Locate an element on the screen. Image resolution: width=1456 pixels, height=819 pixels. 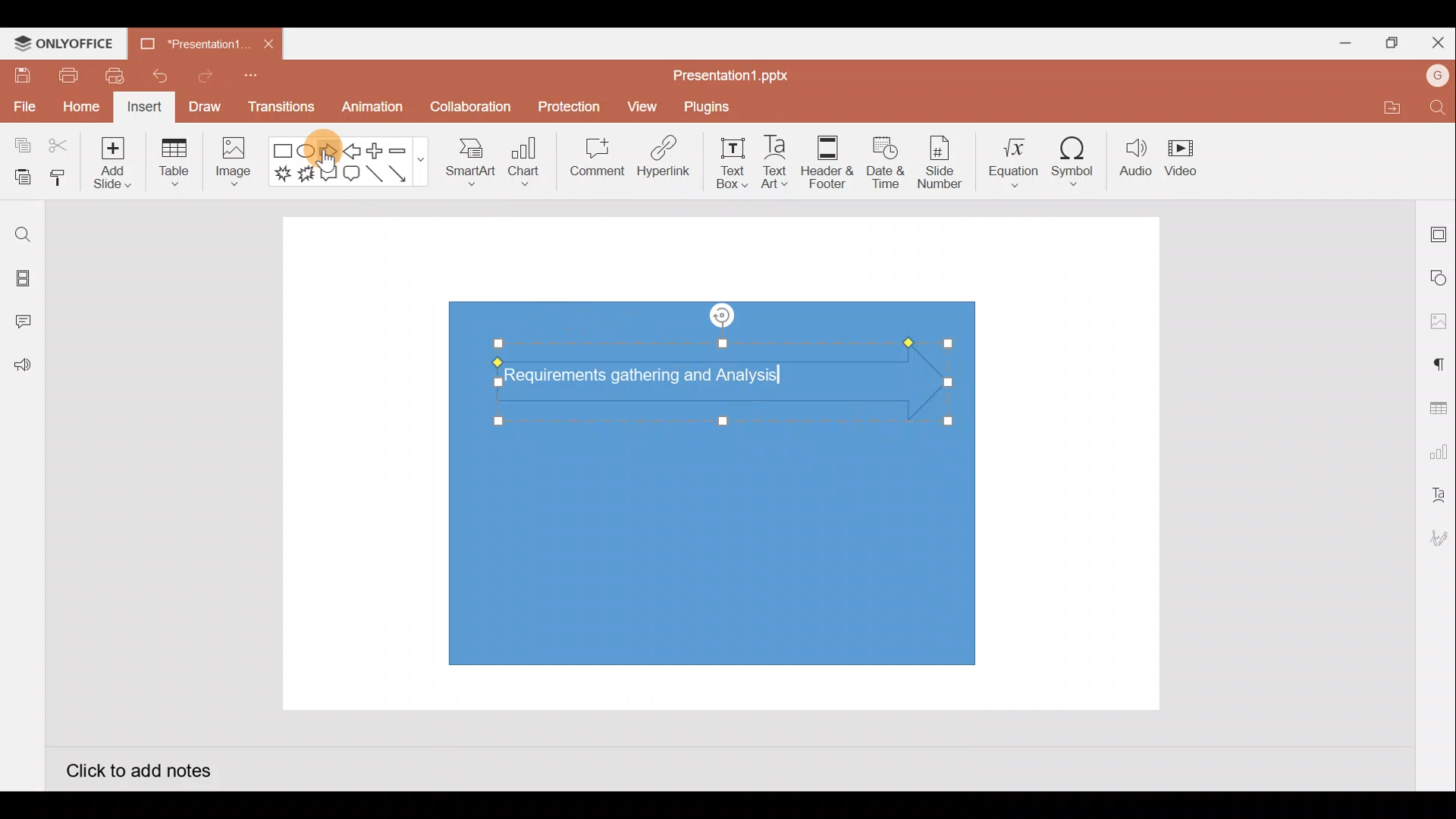
Video is located at coordinates (1183, 155).